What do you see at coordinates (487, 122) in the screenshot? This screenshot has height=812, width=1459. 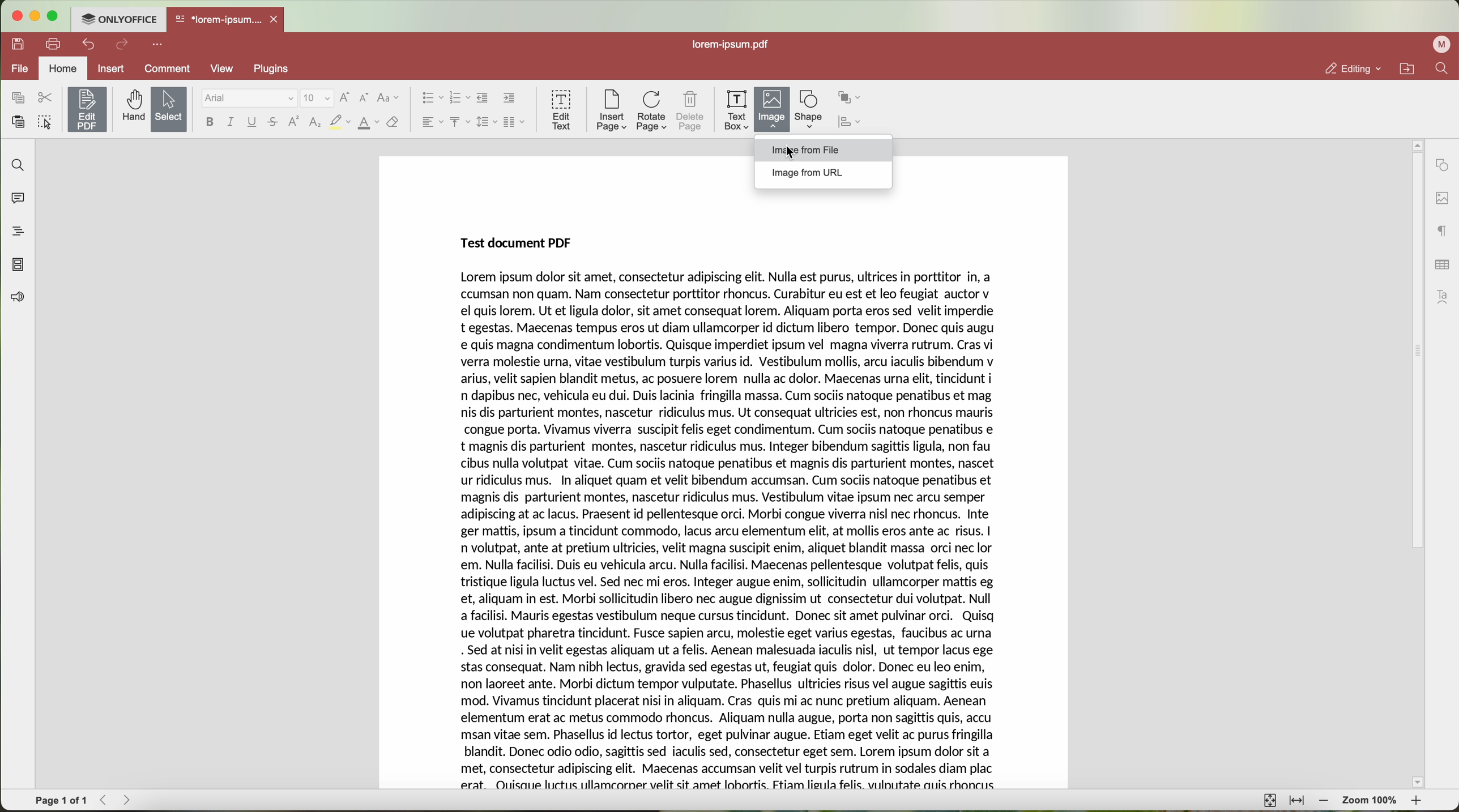 I see `line spacing` at bounding box center [487, 122].